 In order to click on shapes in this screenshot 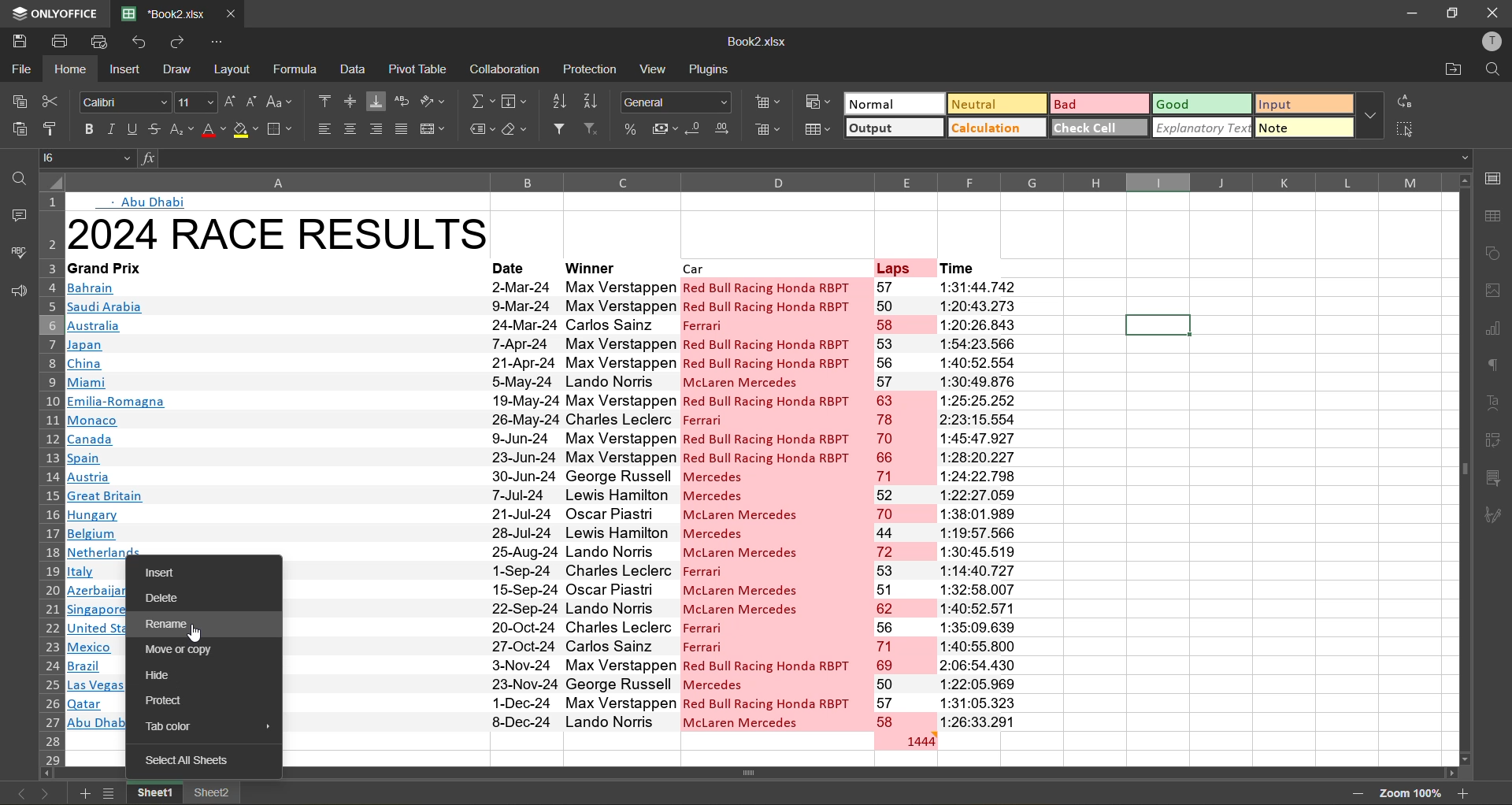, I will do `click(1493, 251)`.